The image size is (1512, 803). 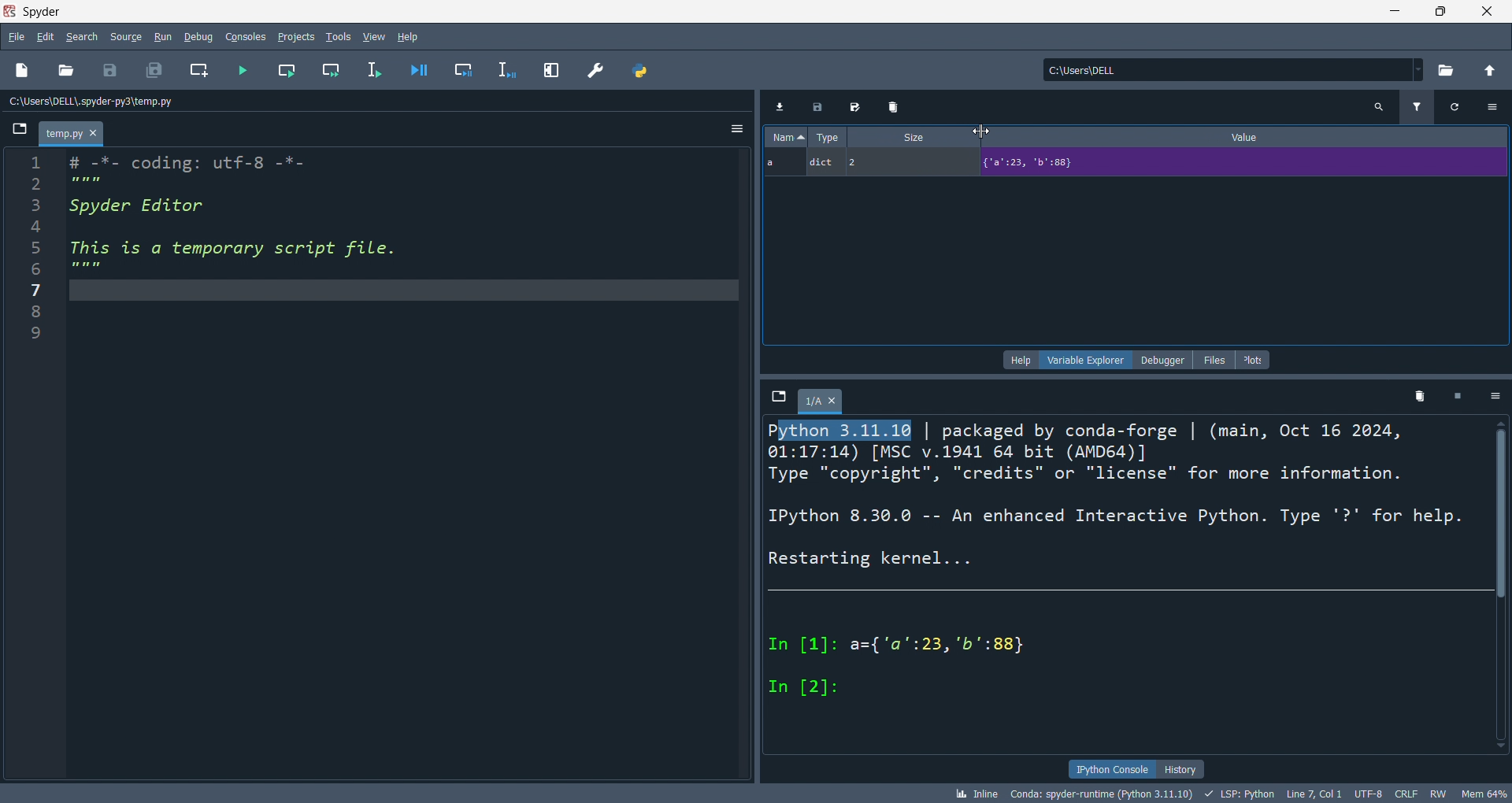 What do you see at coordinates (831, 138) in the screenshot?
I see `type` at bounding box center [831, 138].